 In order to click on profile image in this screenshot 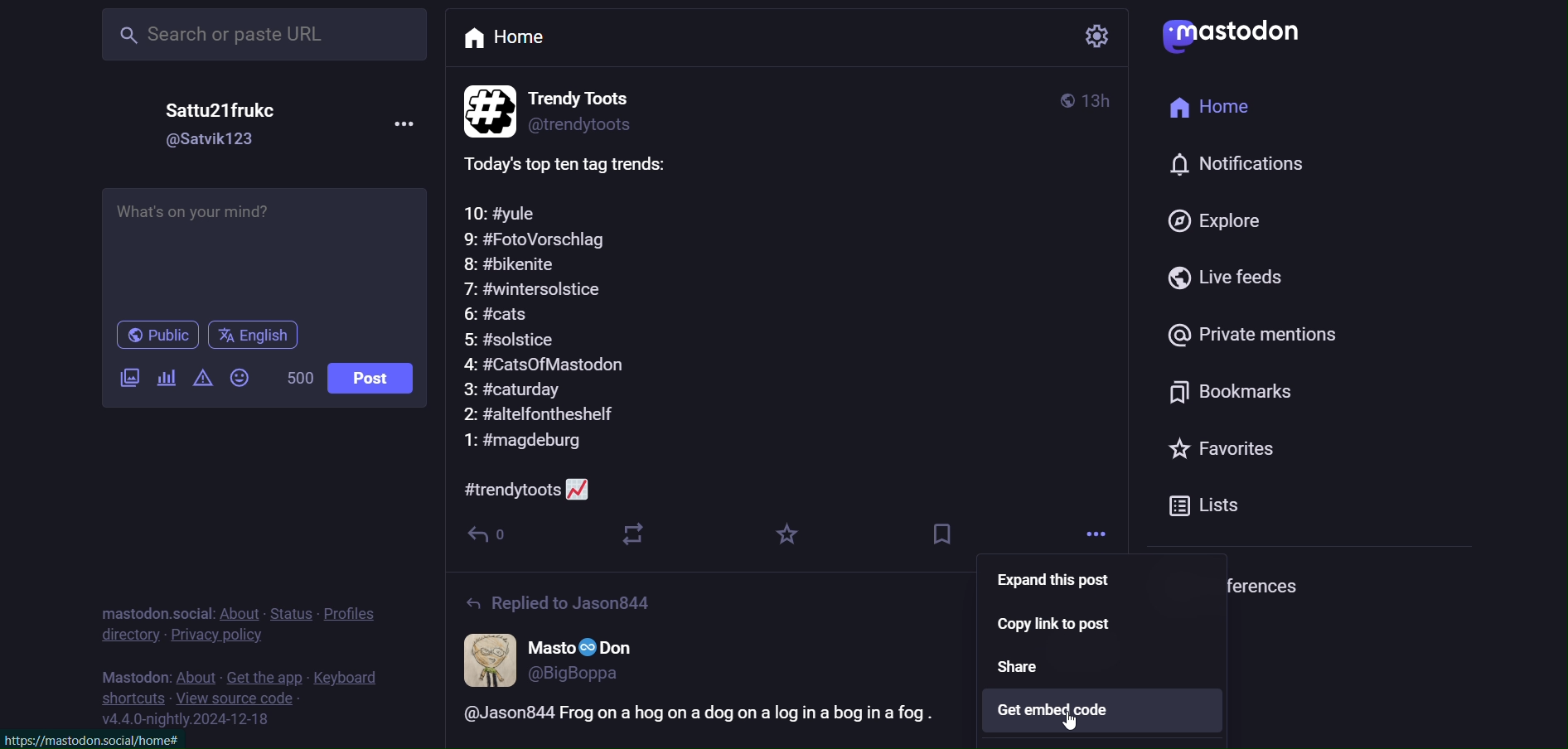, I will do `click(486, 108)`.